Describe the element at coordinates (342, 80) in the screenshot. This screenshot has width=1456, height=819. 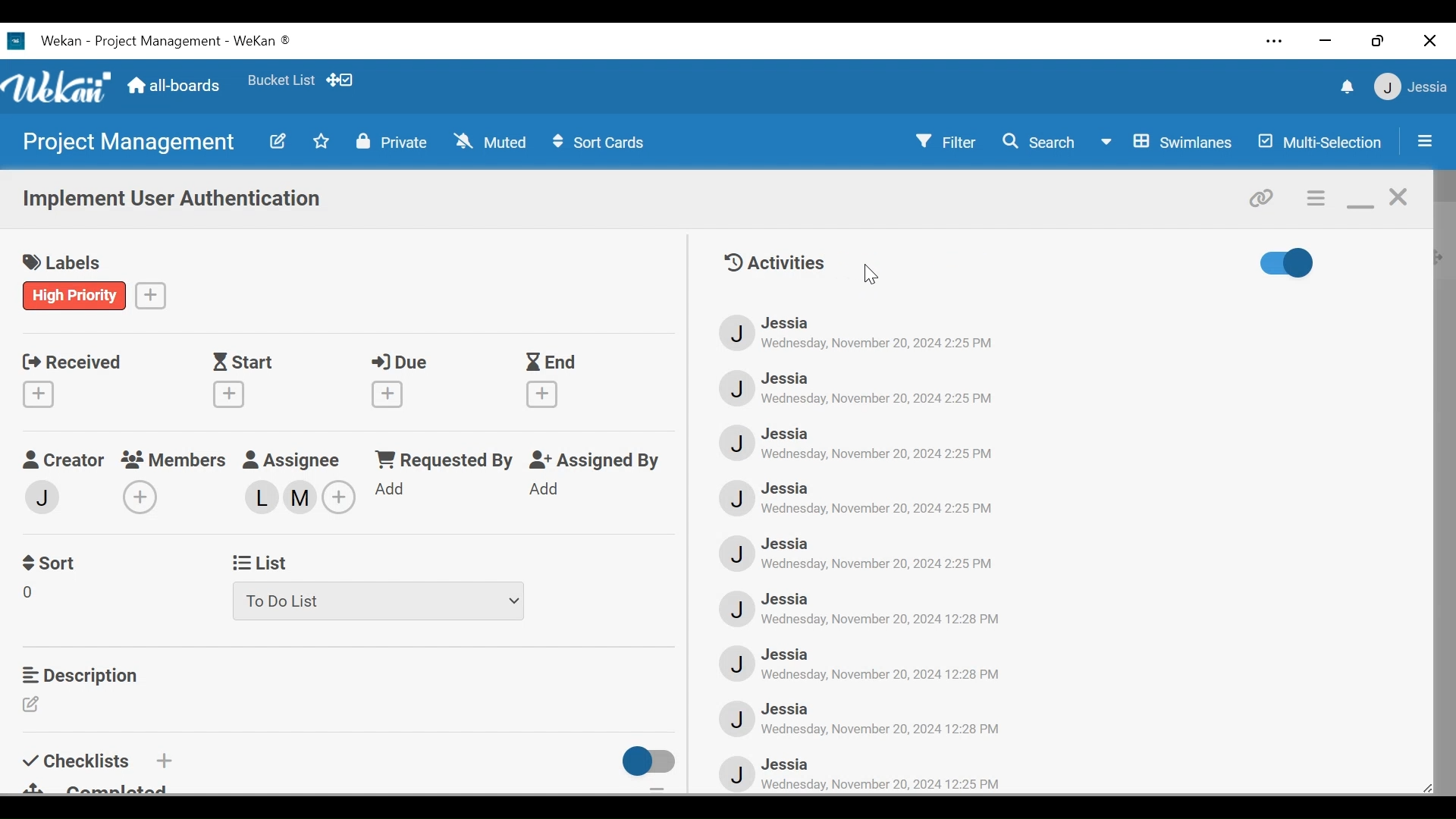
I see `Show desktop drag handles` at that location.